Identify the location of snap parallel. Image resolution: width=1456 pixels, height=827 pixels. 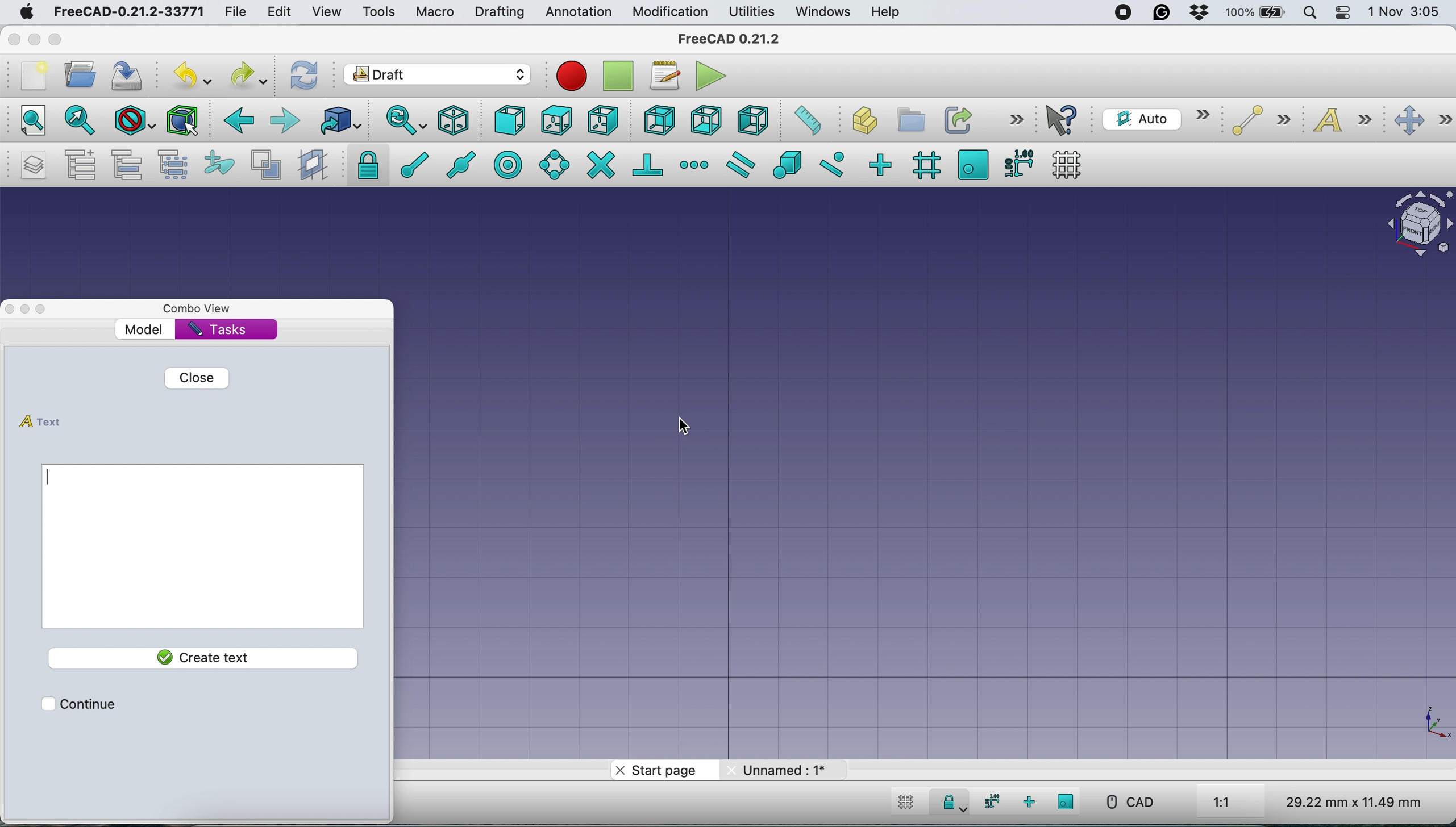
(738, 163).